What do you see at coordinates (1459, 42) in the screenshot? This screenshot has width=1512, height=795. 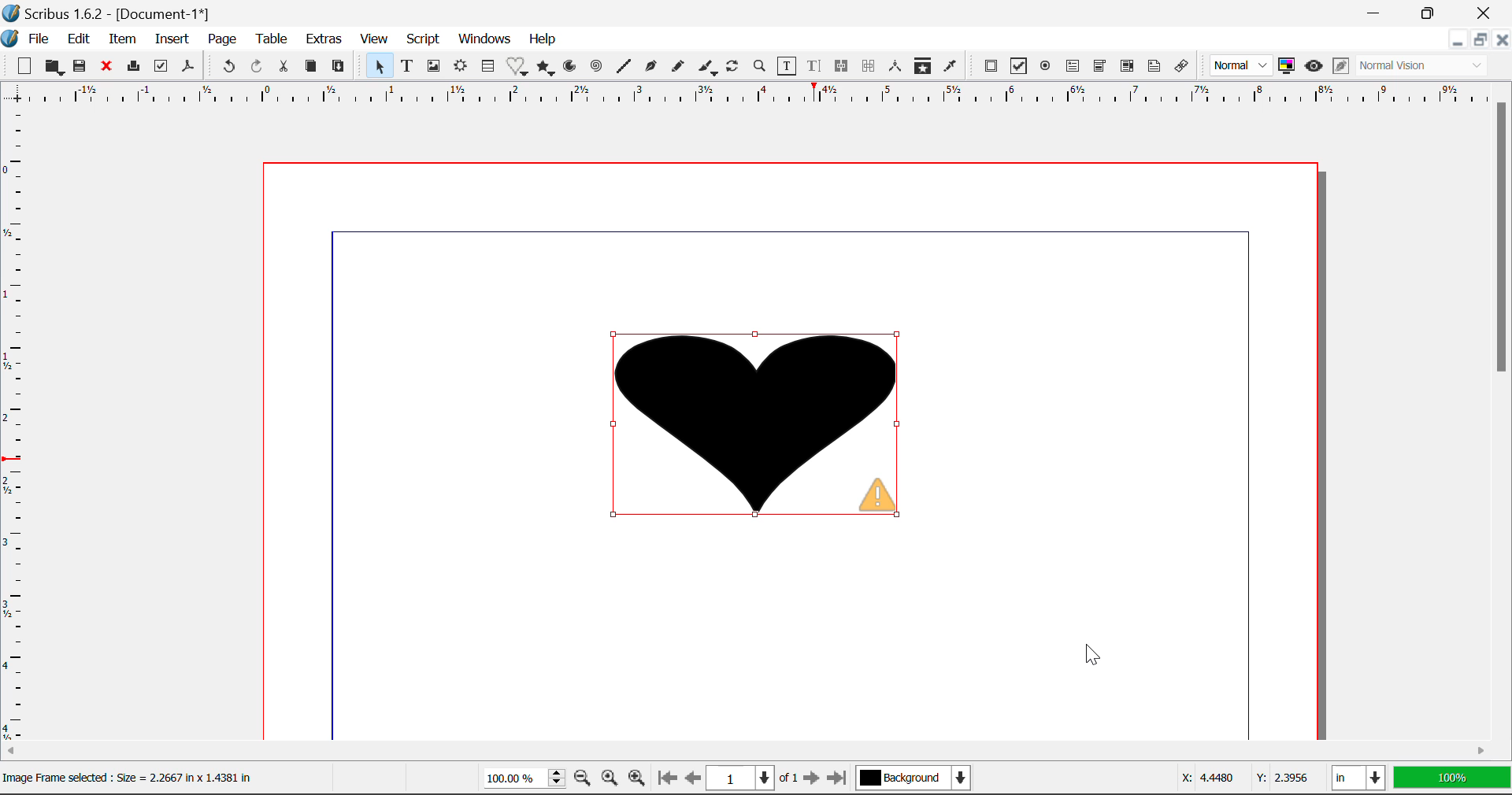 I see `Restore Down` at bounding box center [1459, 42].